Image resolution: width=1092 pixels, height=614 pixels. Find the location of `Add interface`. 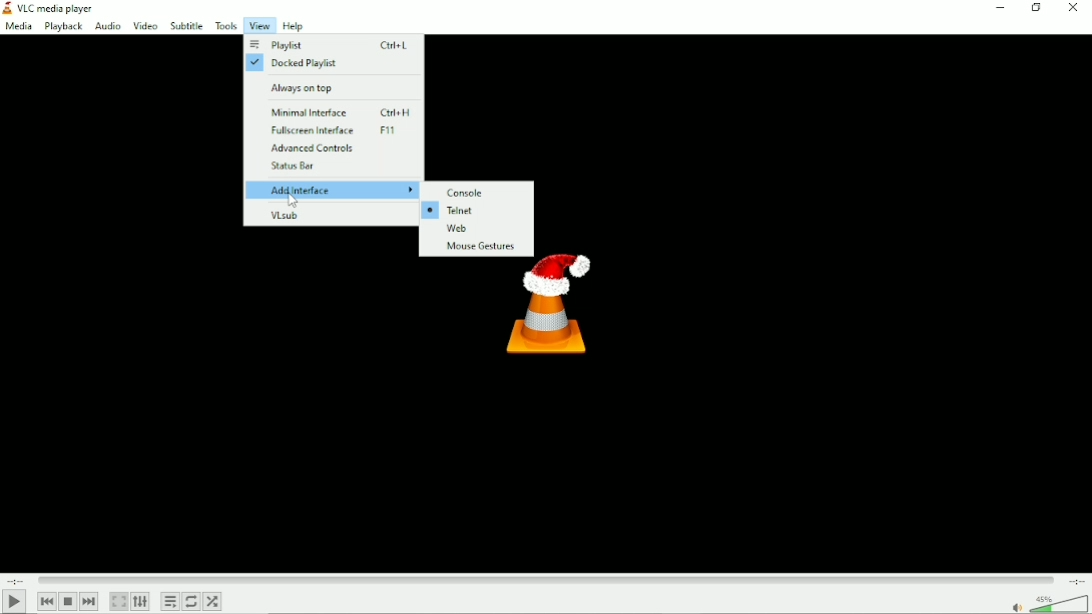

Add interface is located at coordinates (333, 190).